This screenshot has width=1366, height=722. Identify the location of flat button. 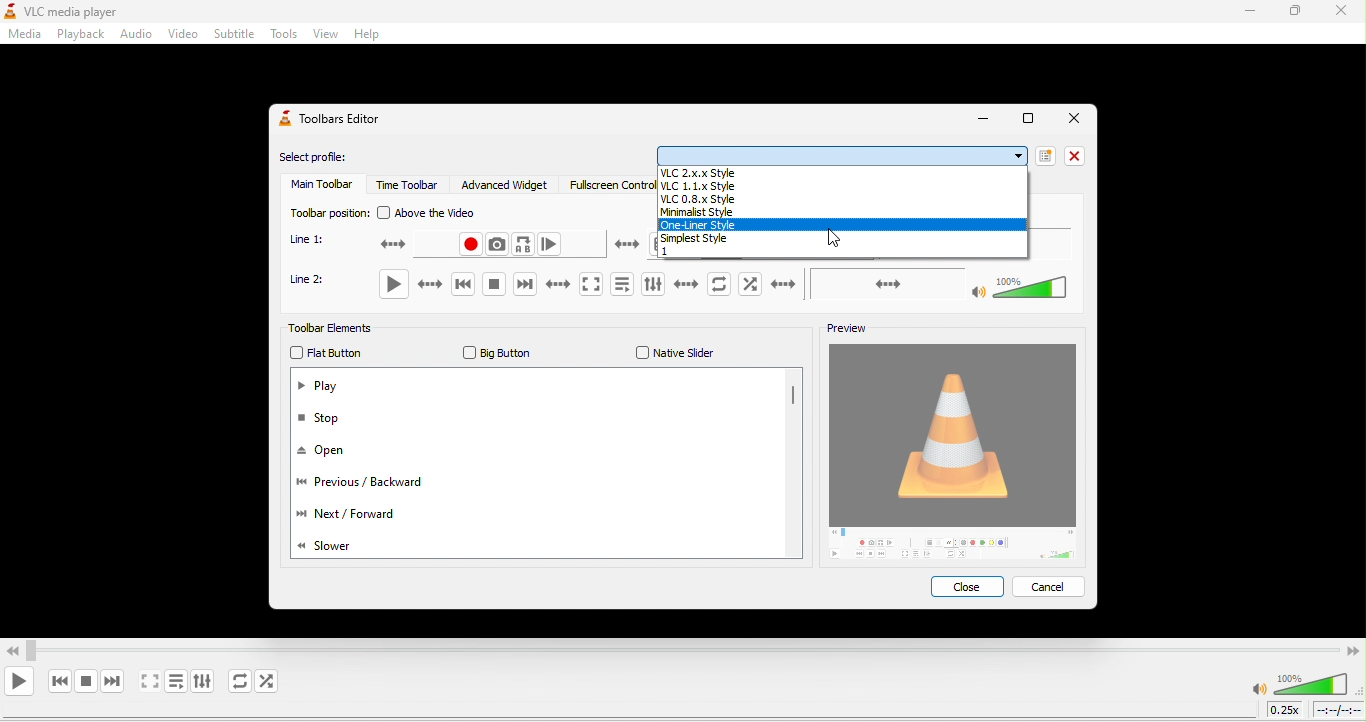
(337, 353).